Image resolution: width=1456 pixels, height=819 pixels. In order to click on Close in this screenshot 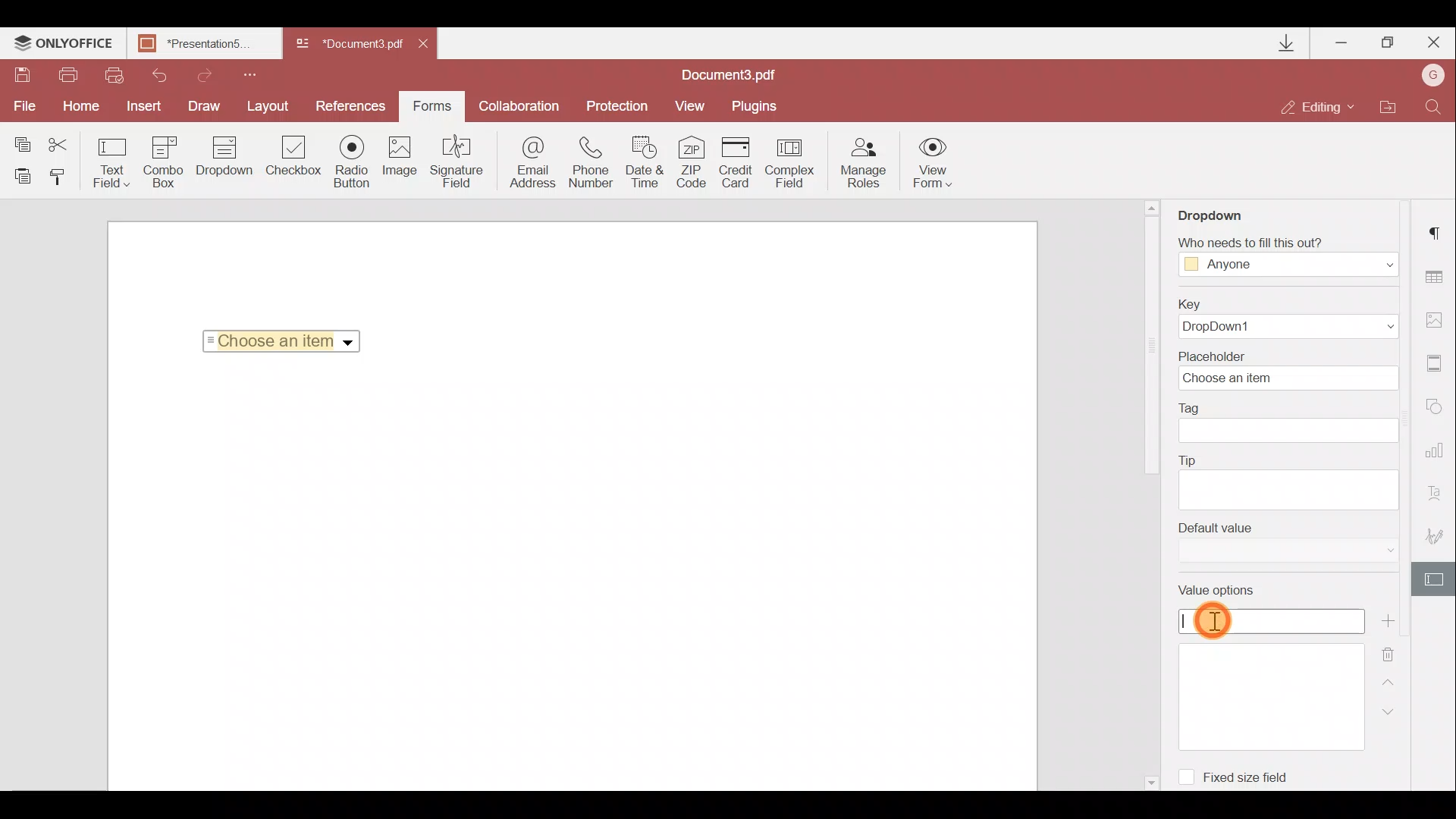, I will do `click(428, 41)`.